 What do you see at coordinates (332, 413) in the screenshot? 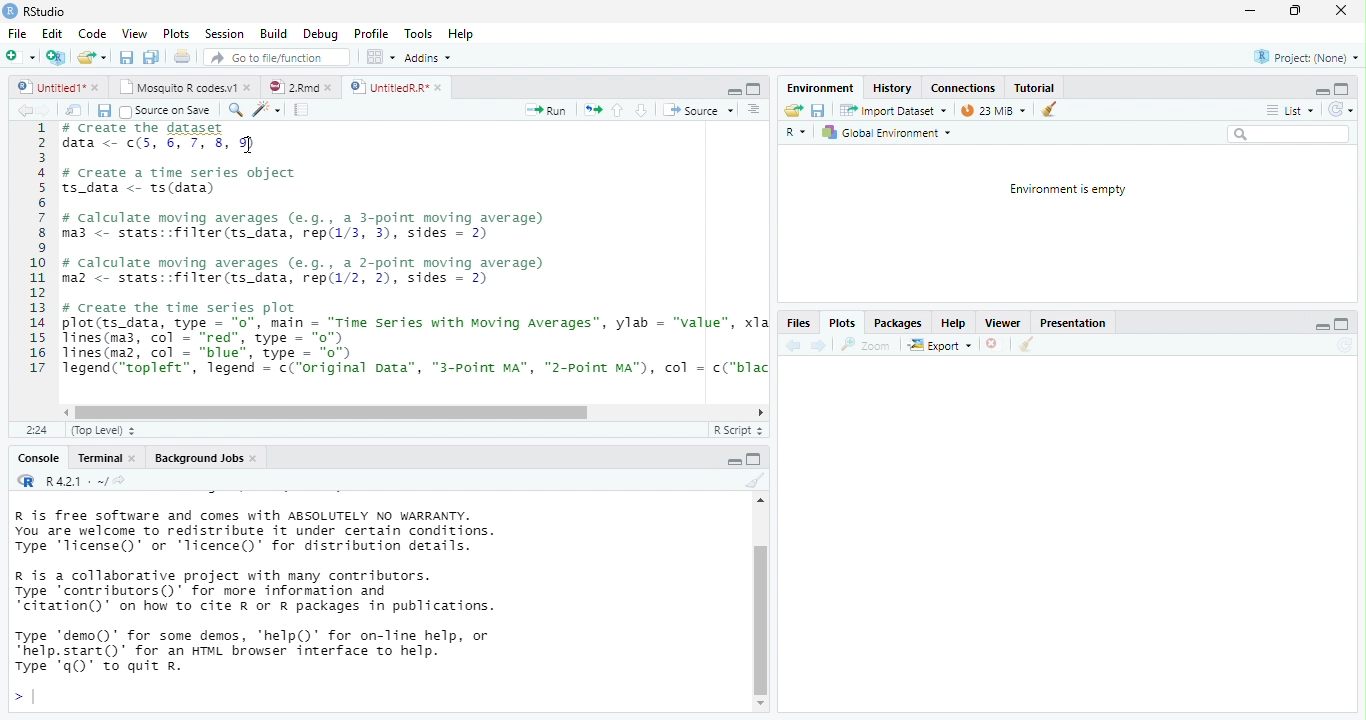
I see `horizontal scrollbar` at bounding box center [332, 413].